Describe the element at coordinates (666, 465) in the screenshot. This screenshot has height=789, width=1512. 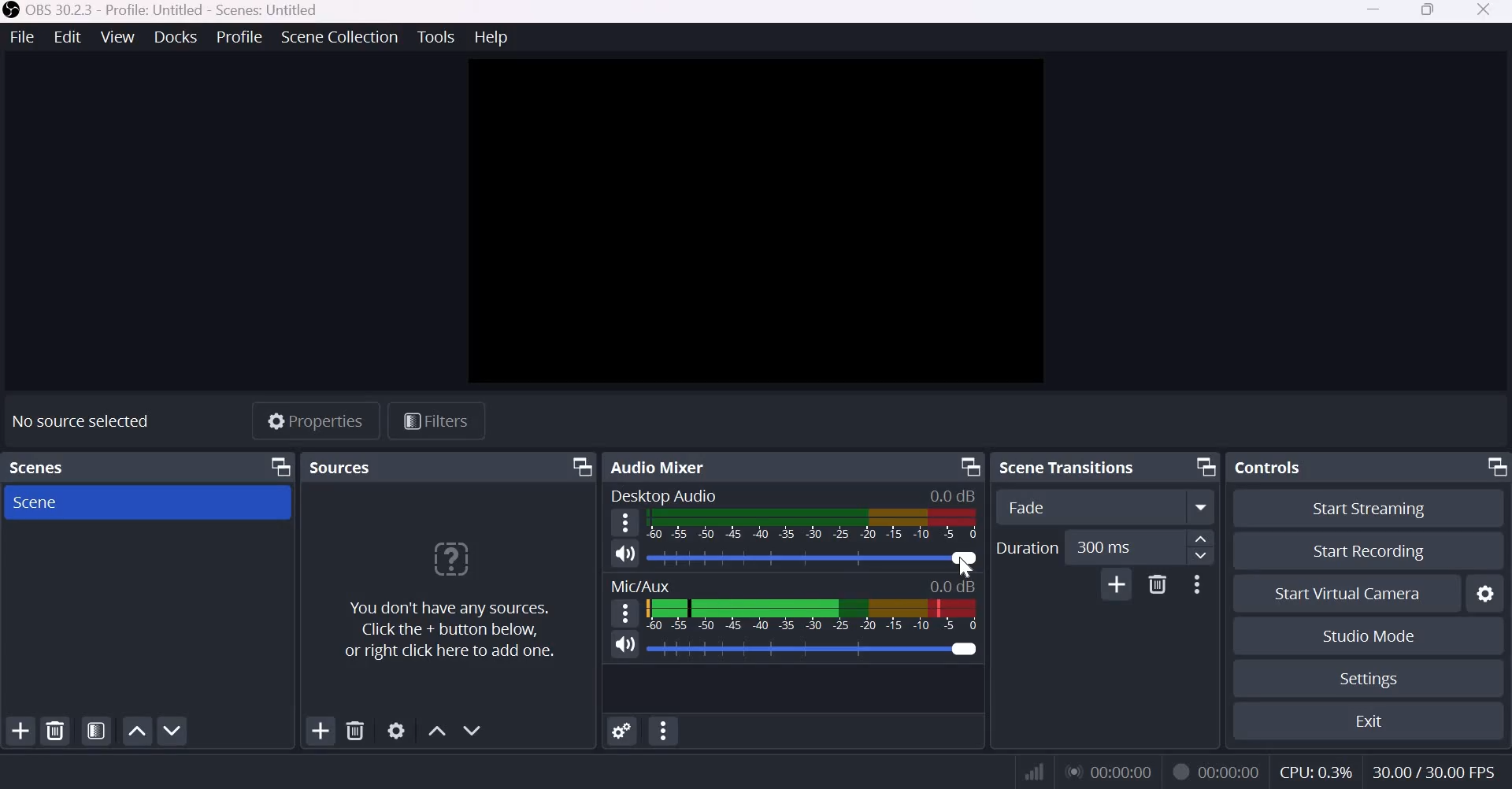
I see `Audio Mixer` at that location.